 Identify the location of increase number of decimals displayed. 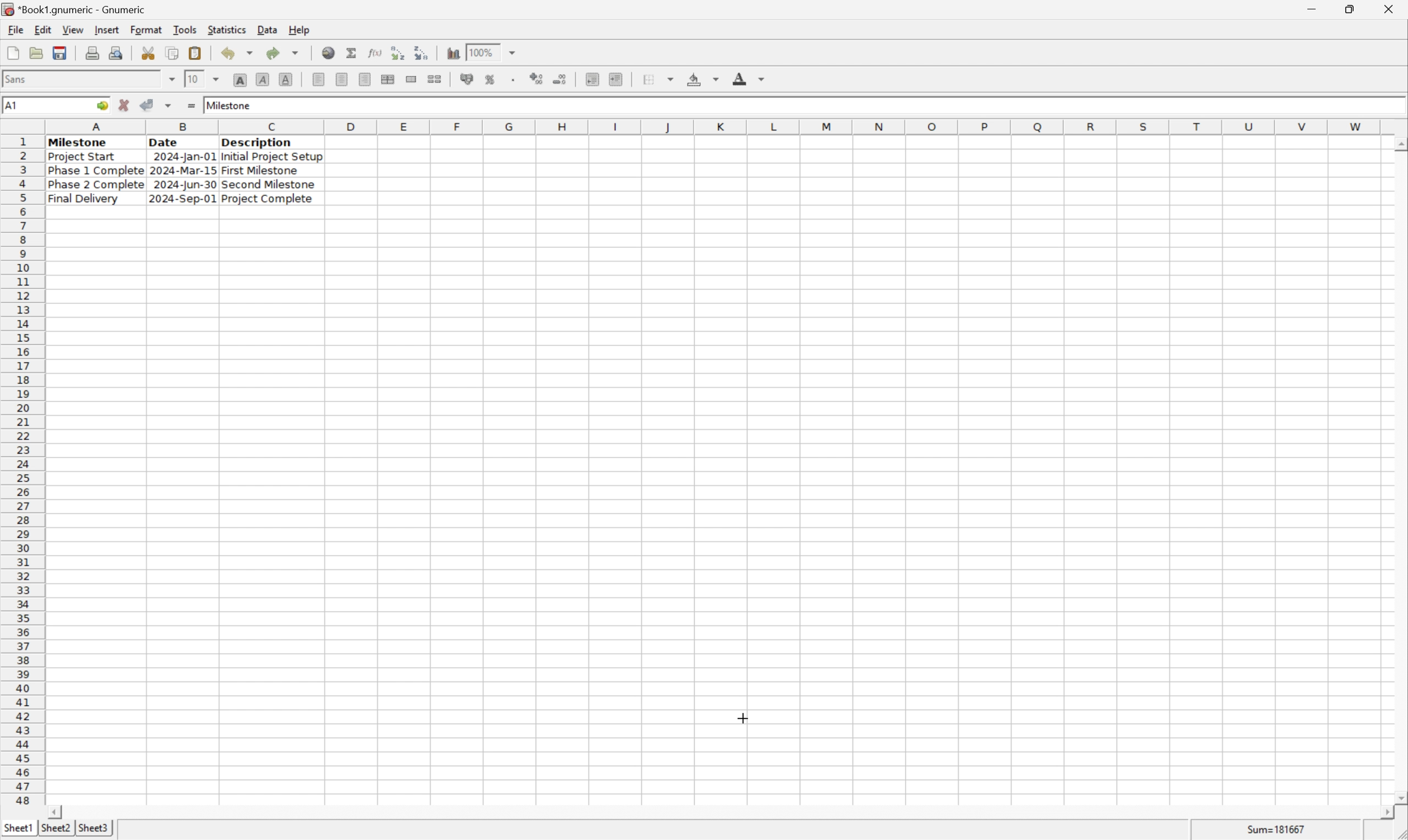
(538, 79).